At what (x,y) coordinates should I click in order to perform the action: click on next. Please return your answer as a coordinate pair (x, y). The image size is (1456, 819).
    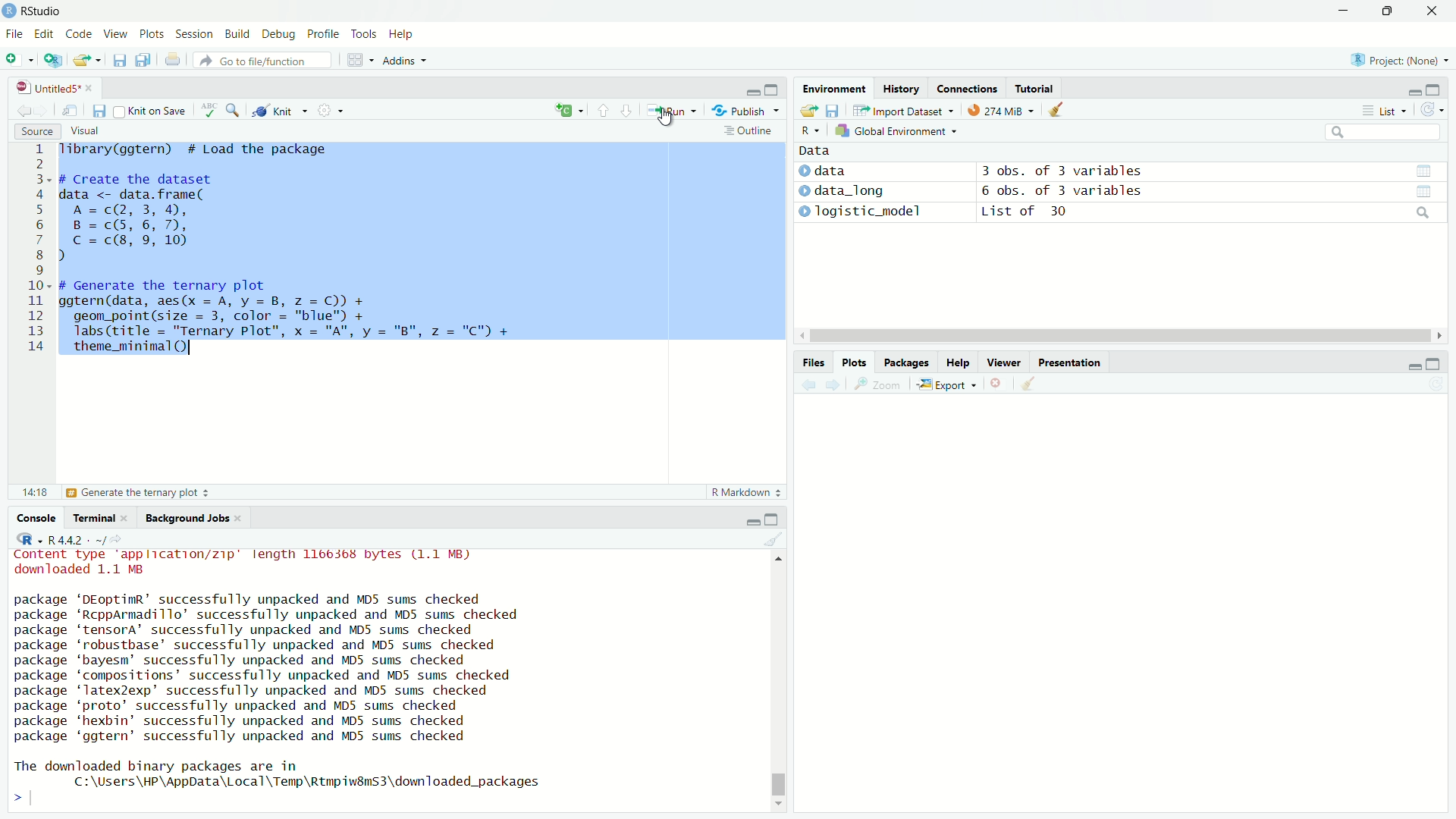
    Looking at the image, I should click on (839, 385).